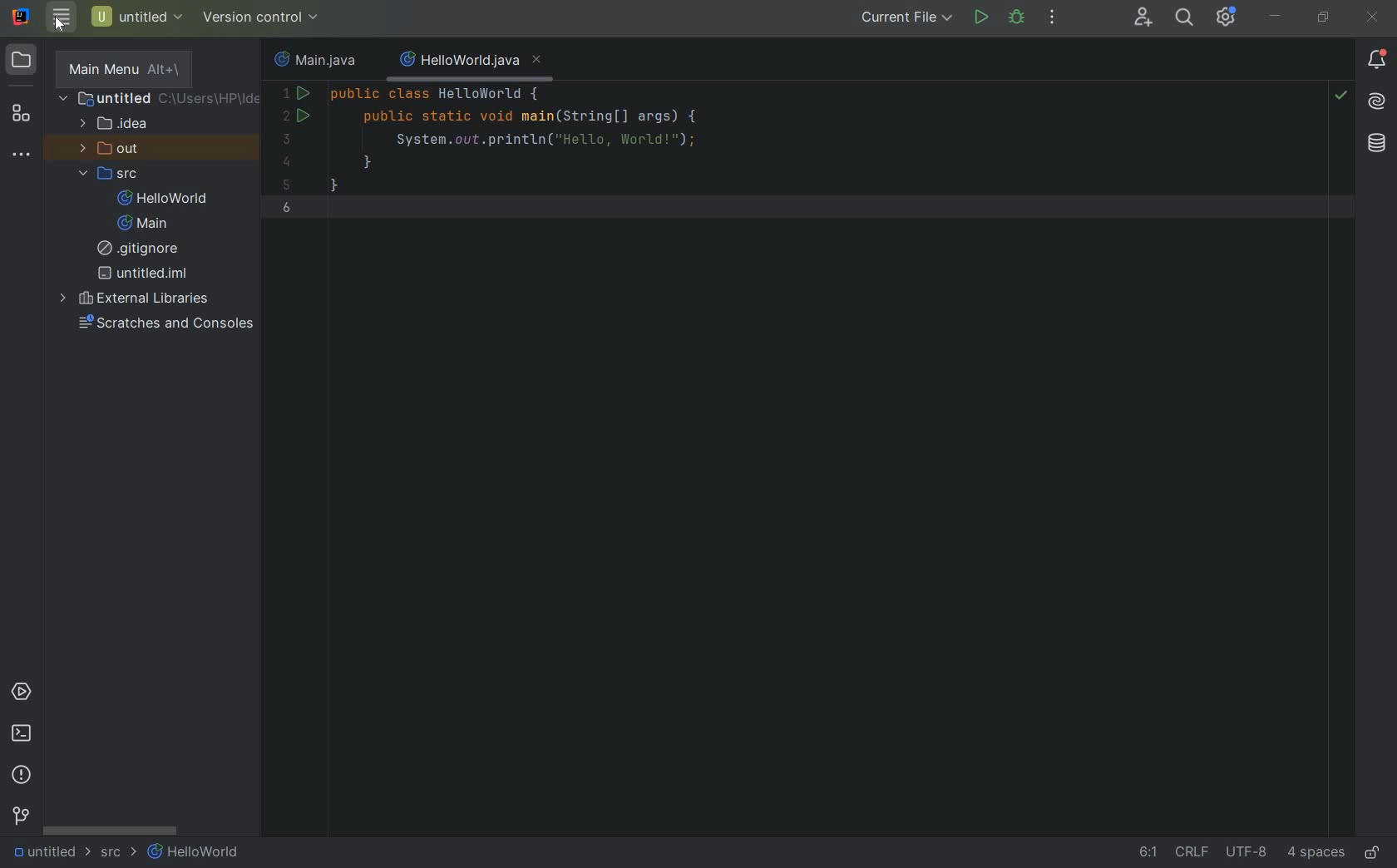 The image size is (1397, 868). Describe the element at coordinates (1186, 17) in the screenshot. I see `SEARCH` at that location.